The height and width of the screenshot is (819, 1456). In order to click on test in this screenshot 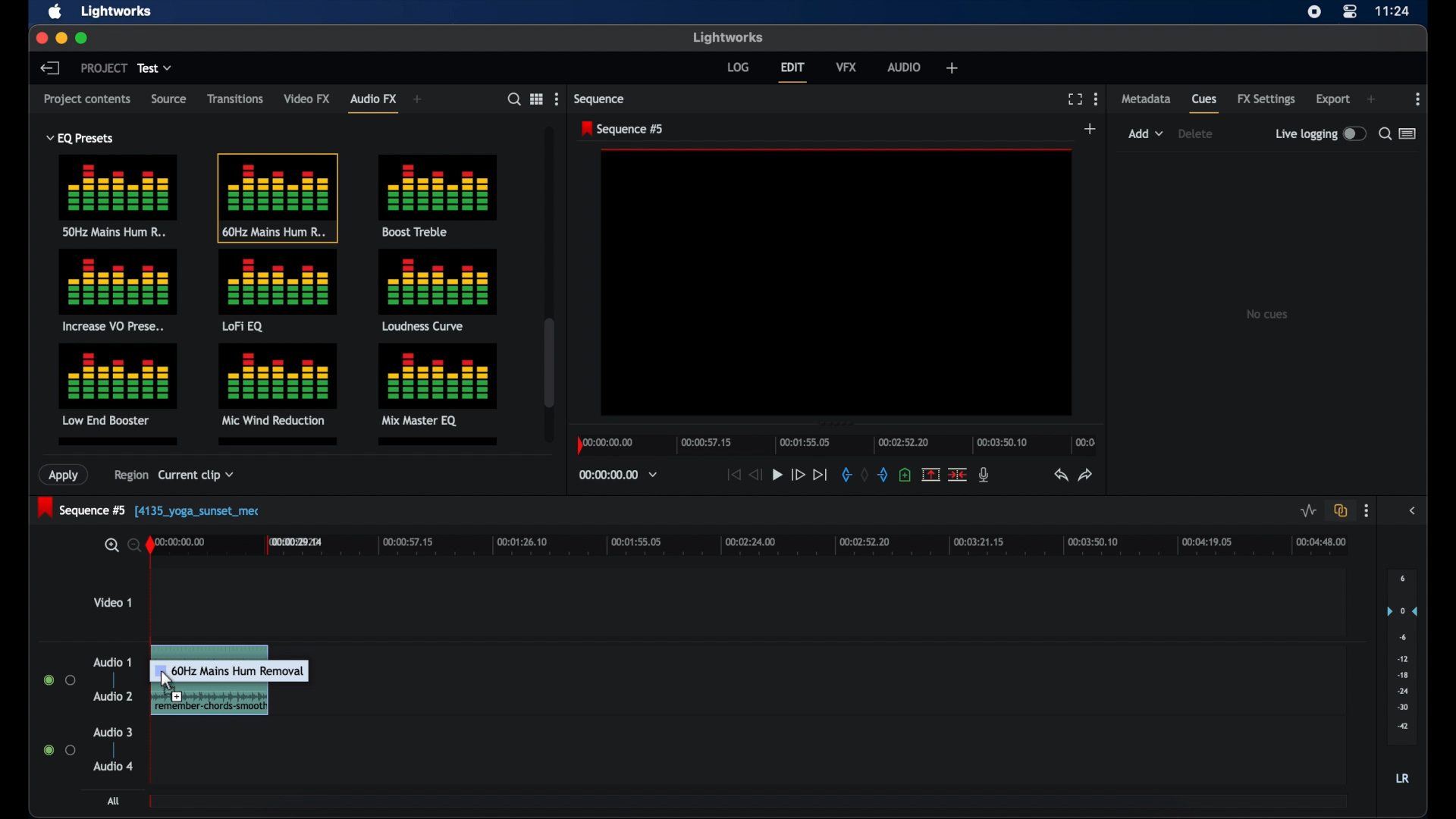, I will do `click(155, 68)`.